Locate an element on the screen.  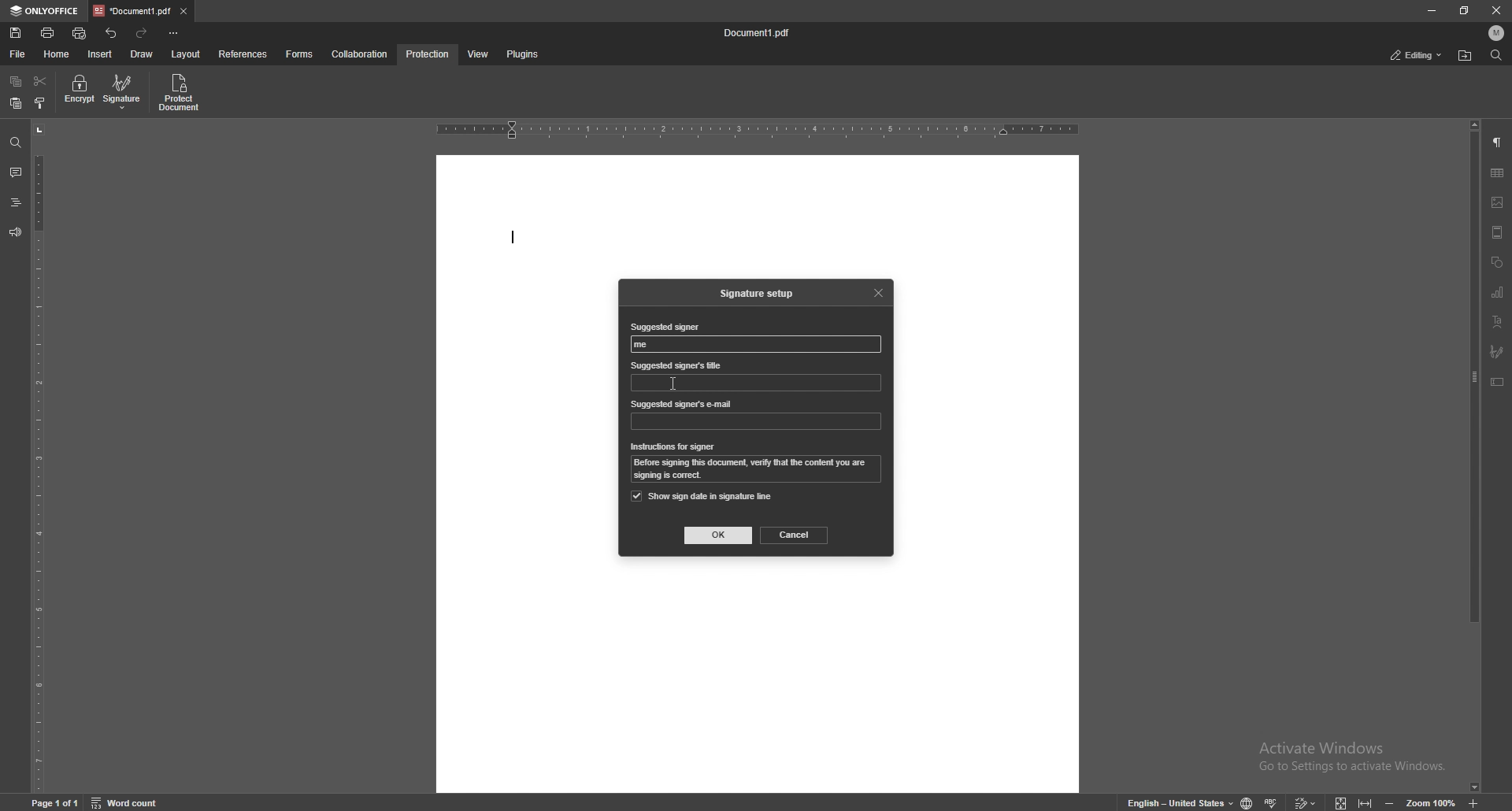
text box is located at coordinates (1497, 382).